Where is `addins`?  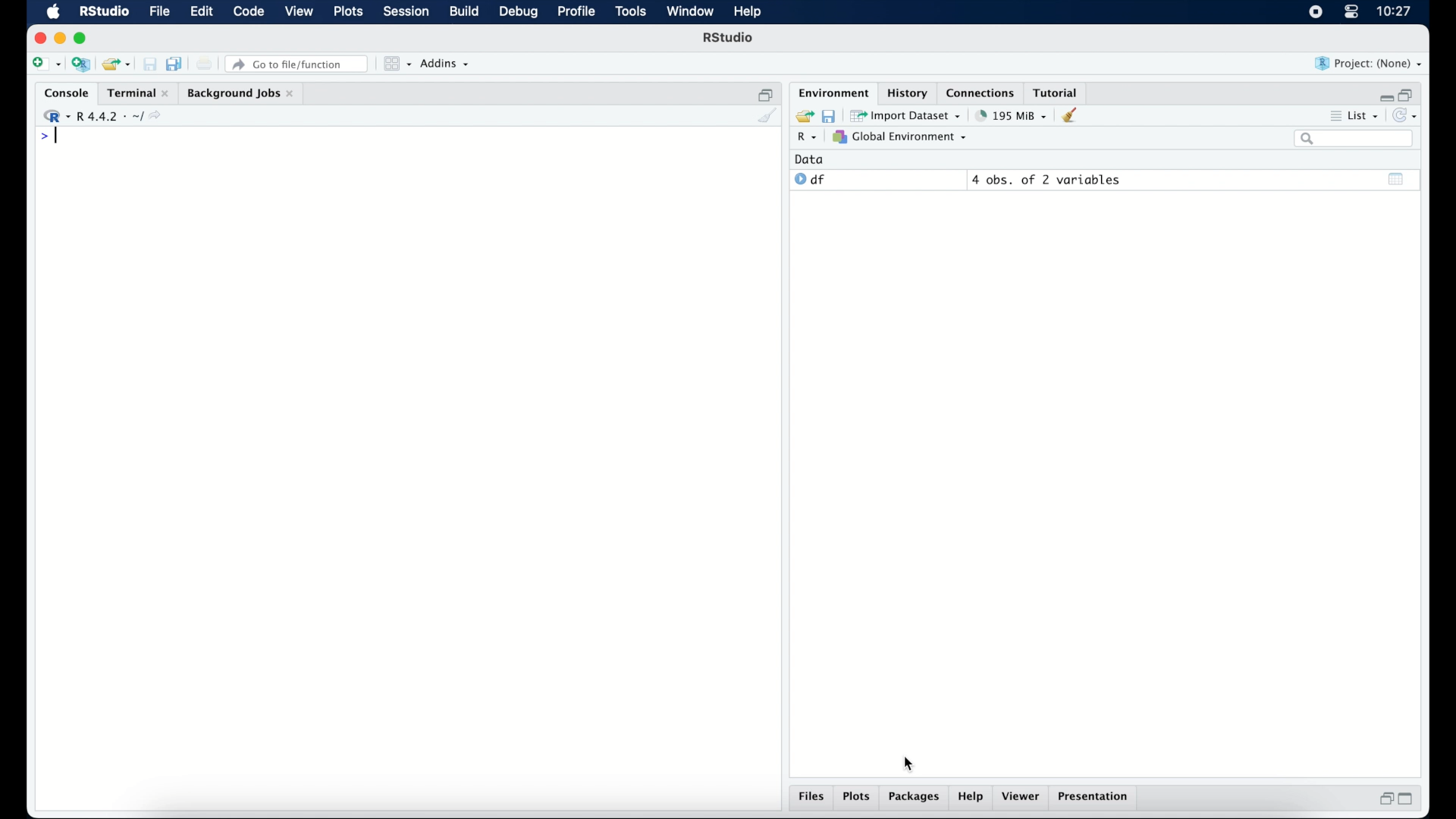
addins is located at coordinates (445, 64).